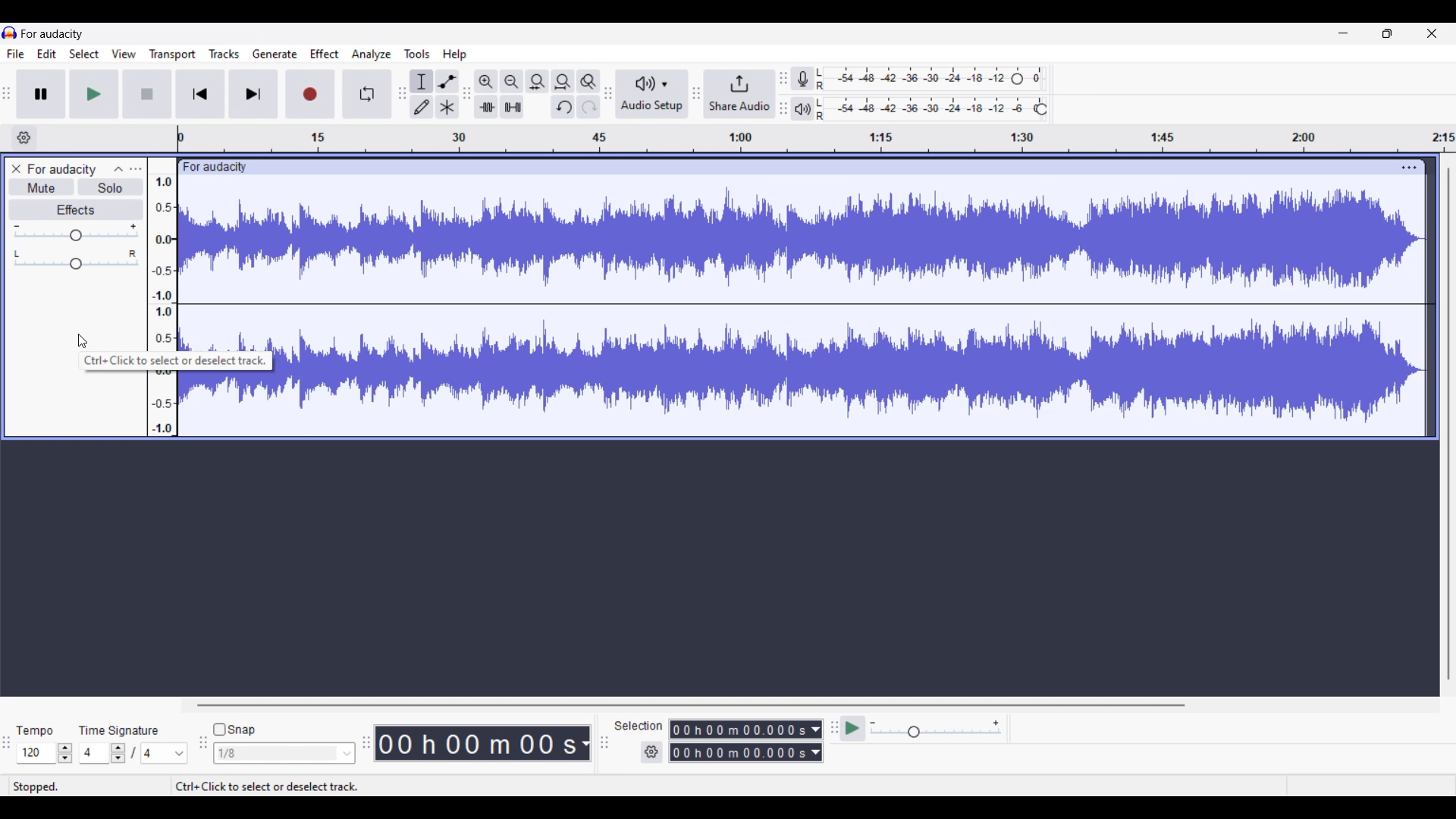  I want to click on Pause, so click(42, 94).